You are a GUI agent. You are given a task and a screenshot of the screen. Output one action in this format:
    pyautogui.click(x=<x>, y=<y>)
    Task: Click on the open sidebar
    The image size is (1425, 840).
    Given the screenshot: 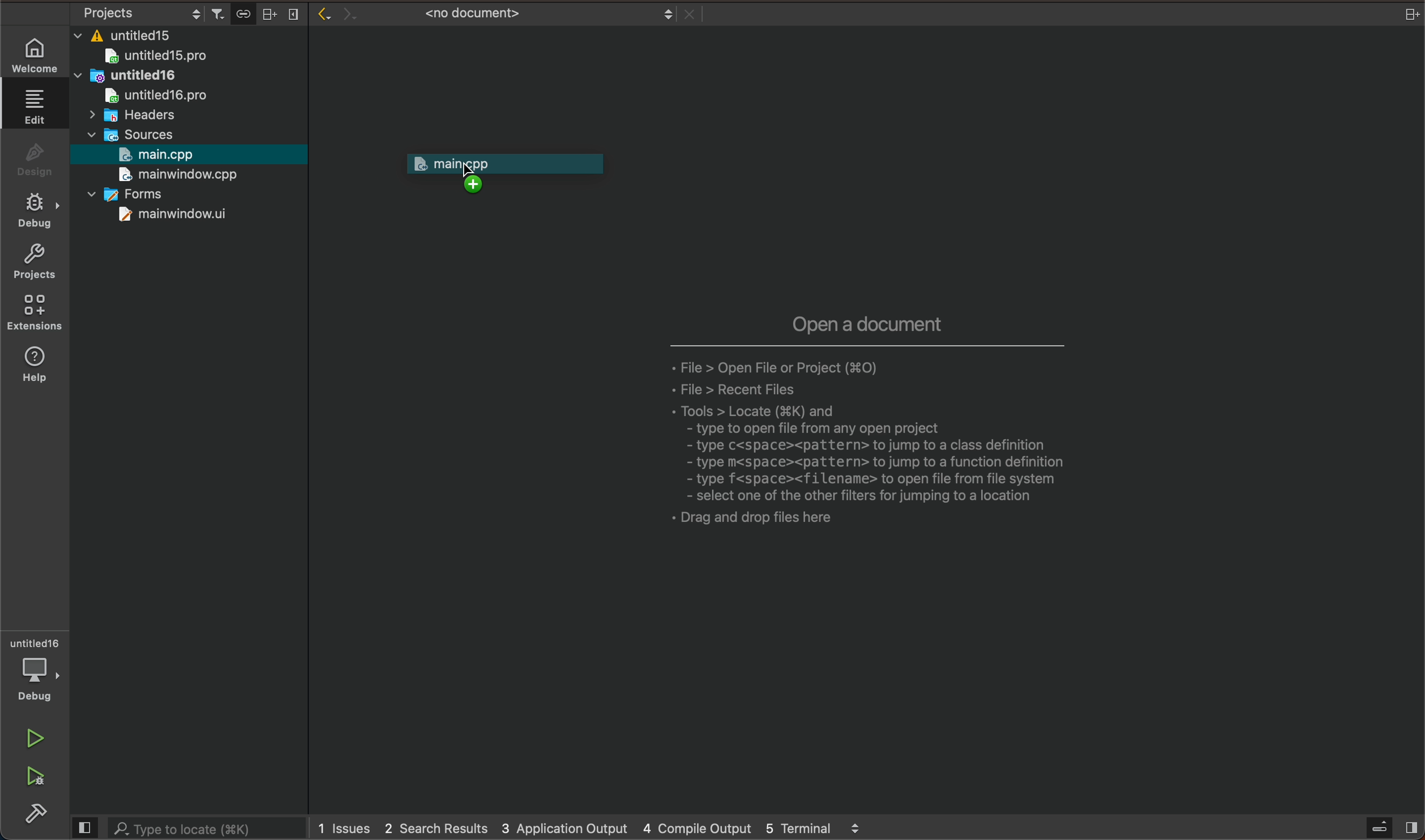 What is the action you would take?
    pyautogui.click(x=1386, y=829)
    